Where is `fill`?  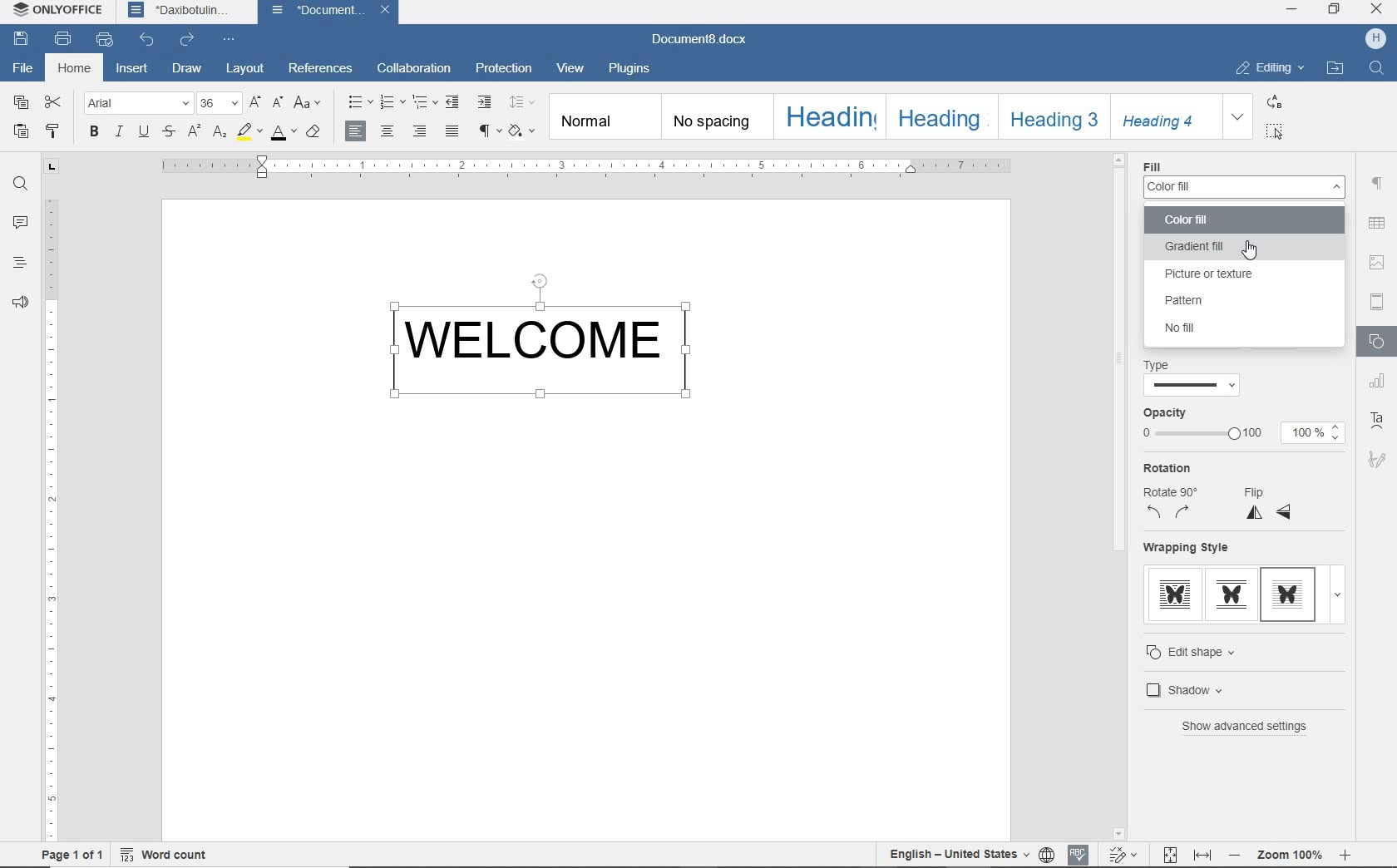
fill is located at coordinates (1243, 187).